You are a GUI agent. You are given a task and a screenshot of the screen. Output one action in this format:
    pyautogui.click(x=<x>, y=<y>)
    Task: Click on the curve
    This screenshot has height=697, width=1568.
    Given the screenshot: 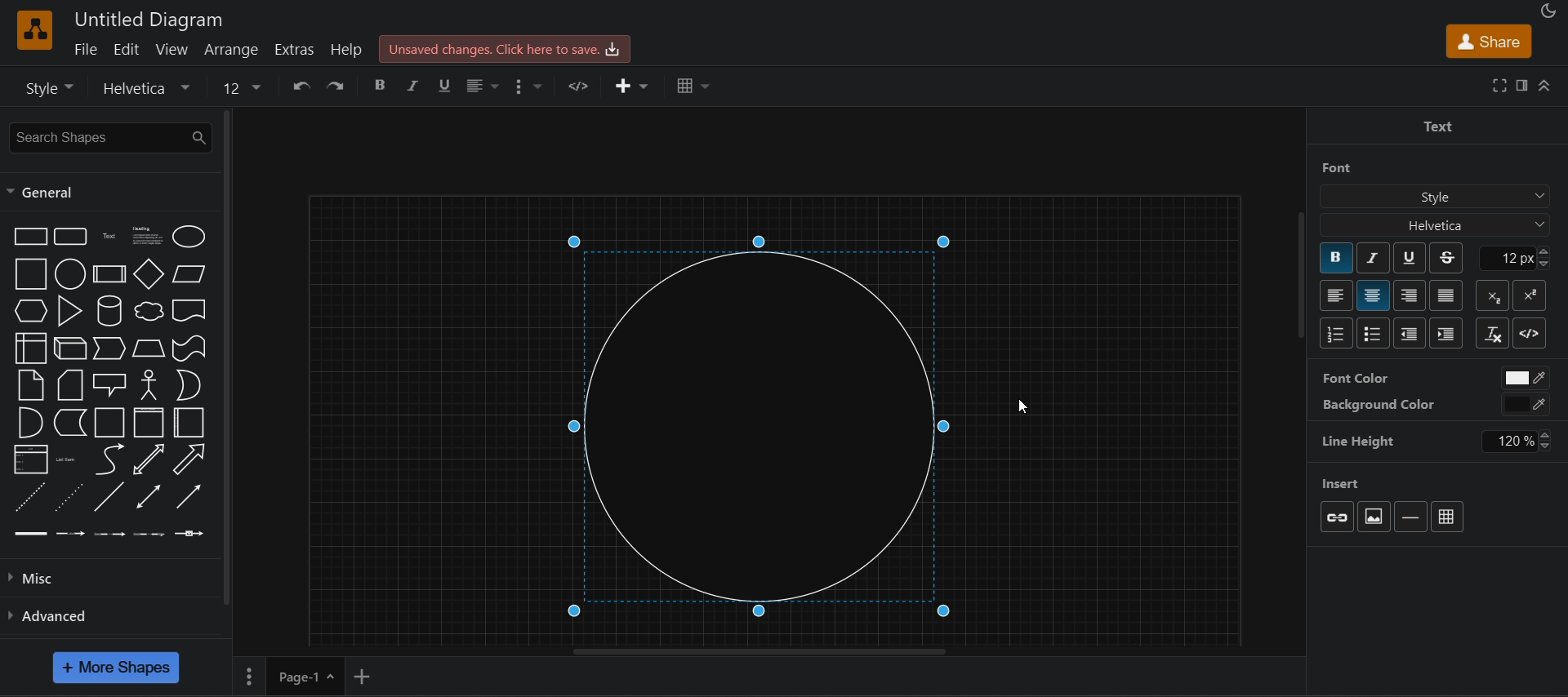 What is the action you would take?
    pyautogui.click(x=108, y=460)
    